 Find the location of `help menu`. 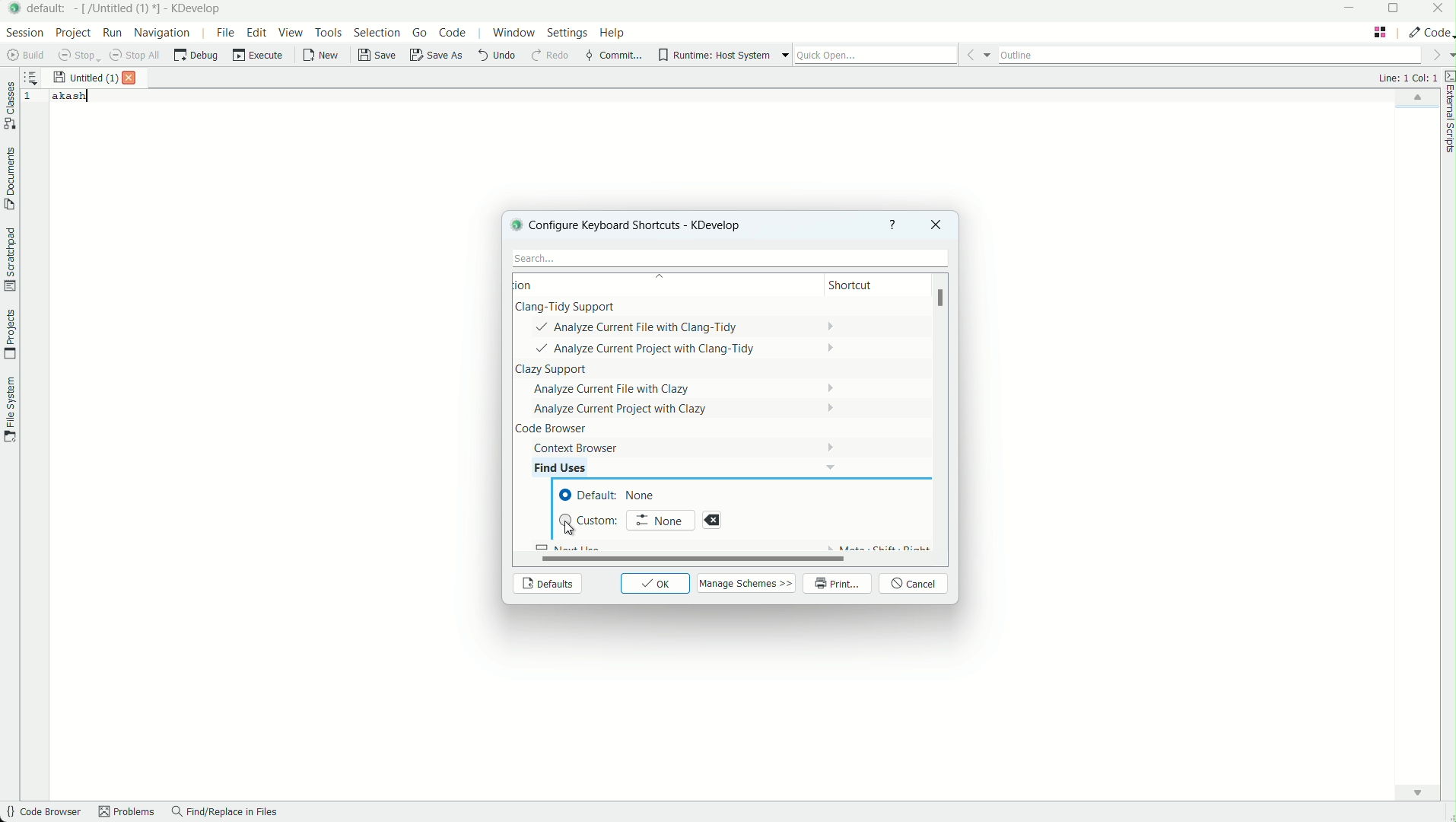

help menu is located at coordinates (614, 34).